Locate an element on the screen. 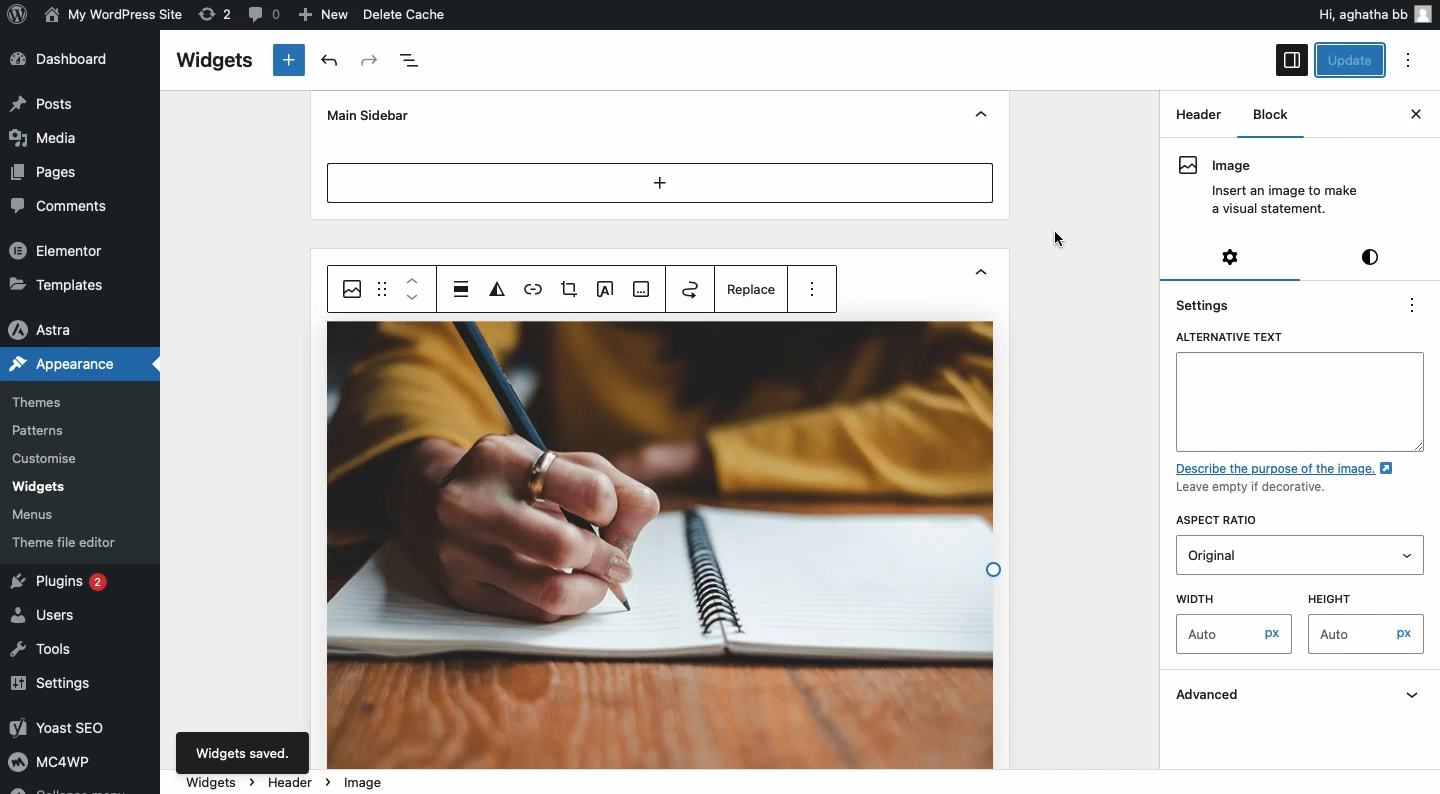 This screenshot has height=794, width=1440. Theme file editor is located at coordinates (69, 542).